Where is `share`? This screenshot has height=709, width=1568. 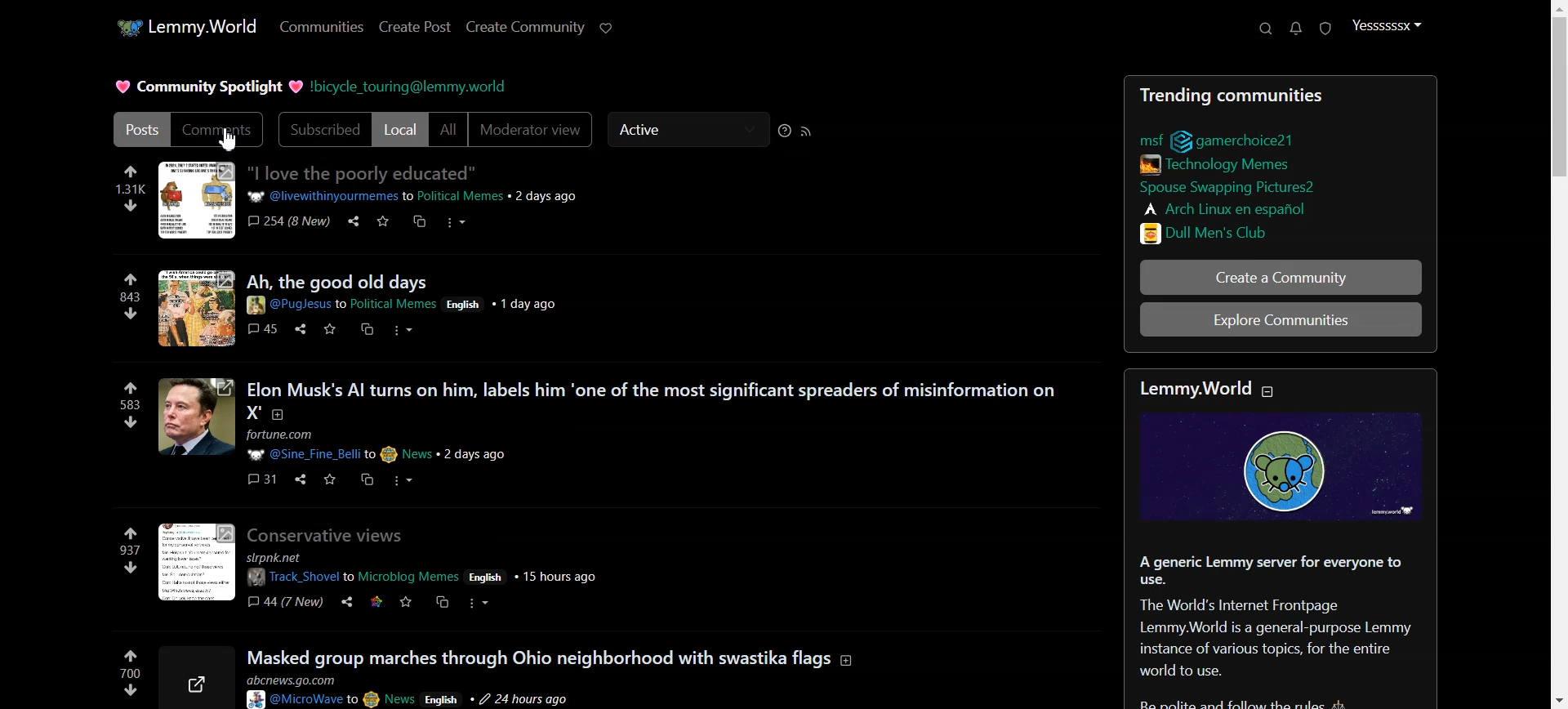 share is located at coordinates (299, 477).